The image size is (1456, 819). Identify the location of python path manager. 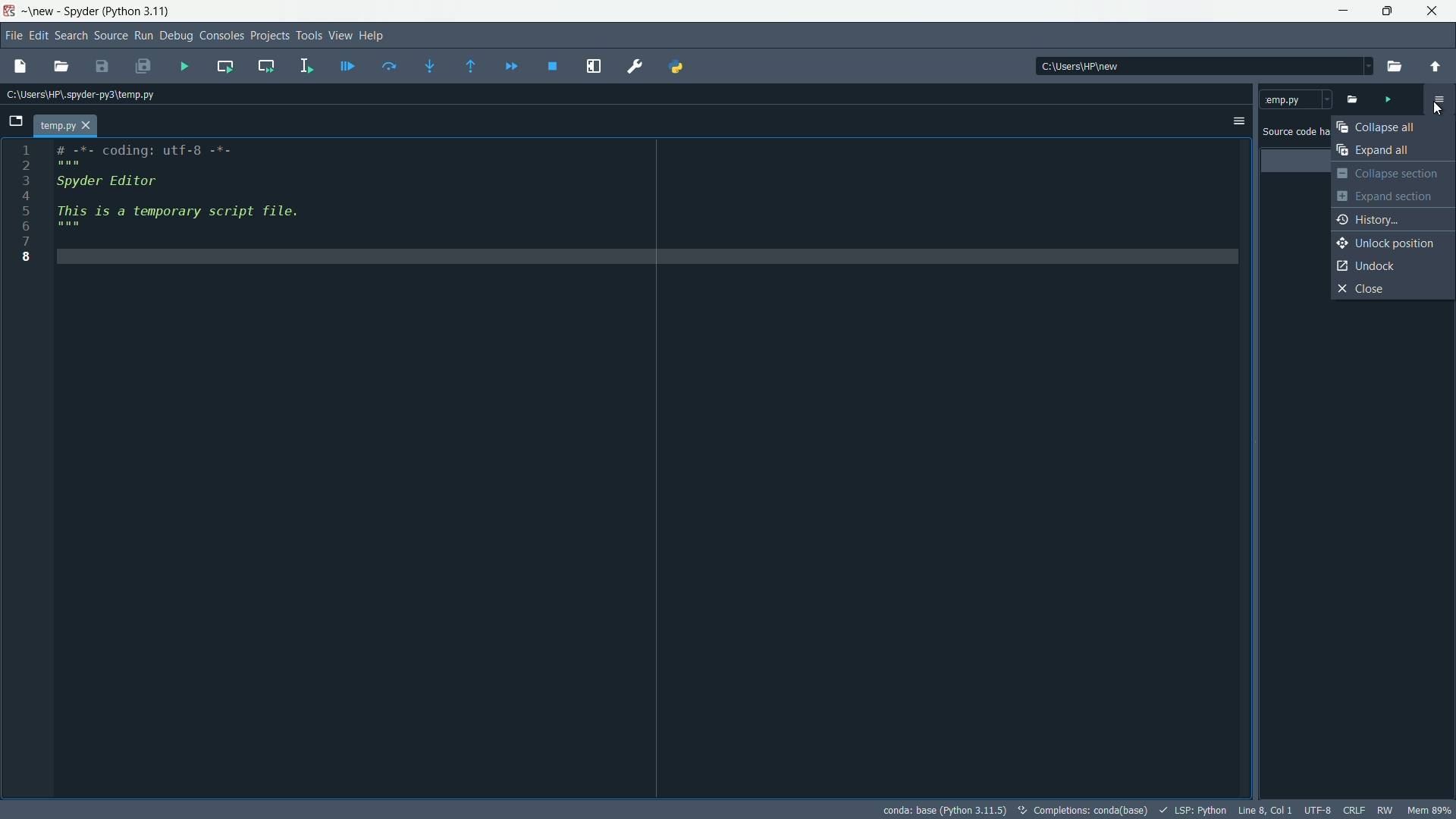
(676, 67).